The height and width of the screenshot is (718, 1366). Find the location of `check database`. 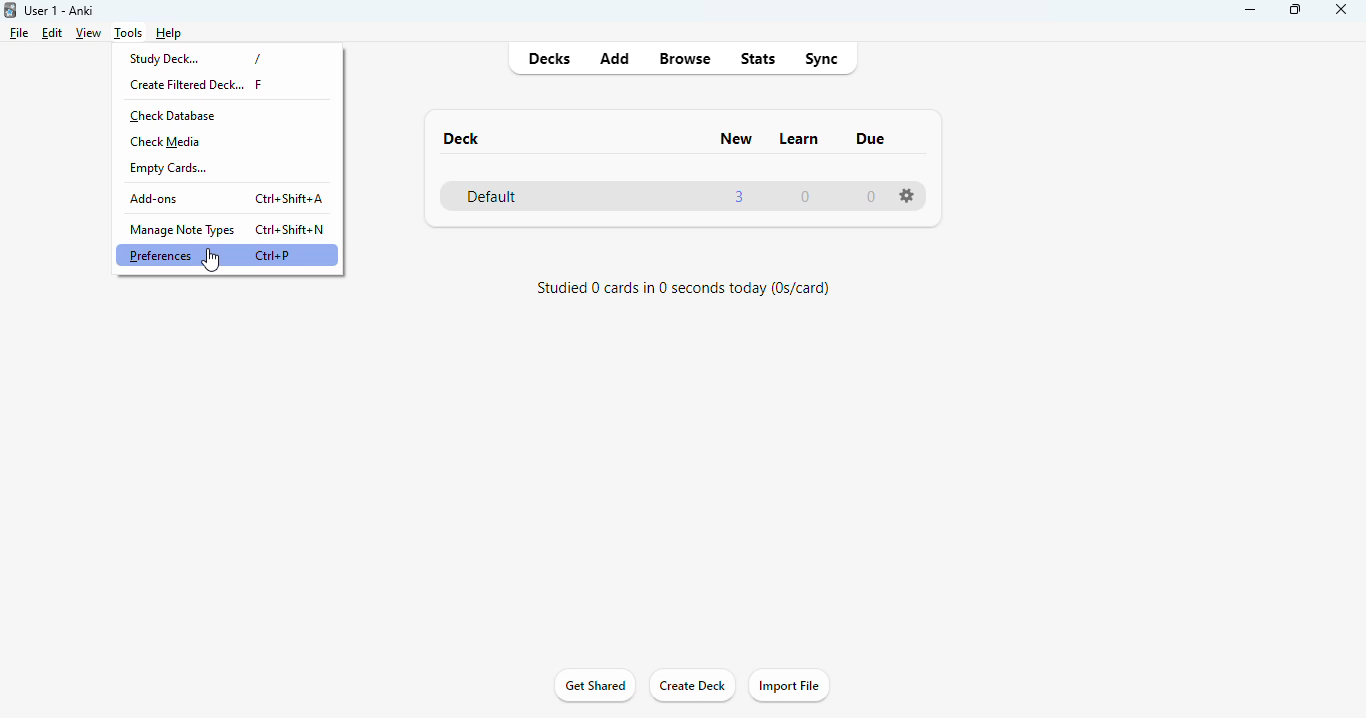

check database is located at coordinates (174, 116).